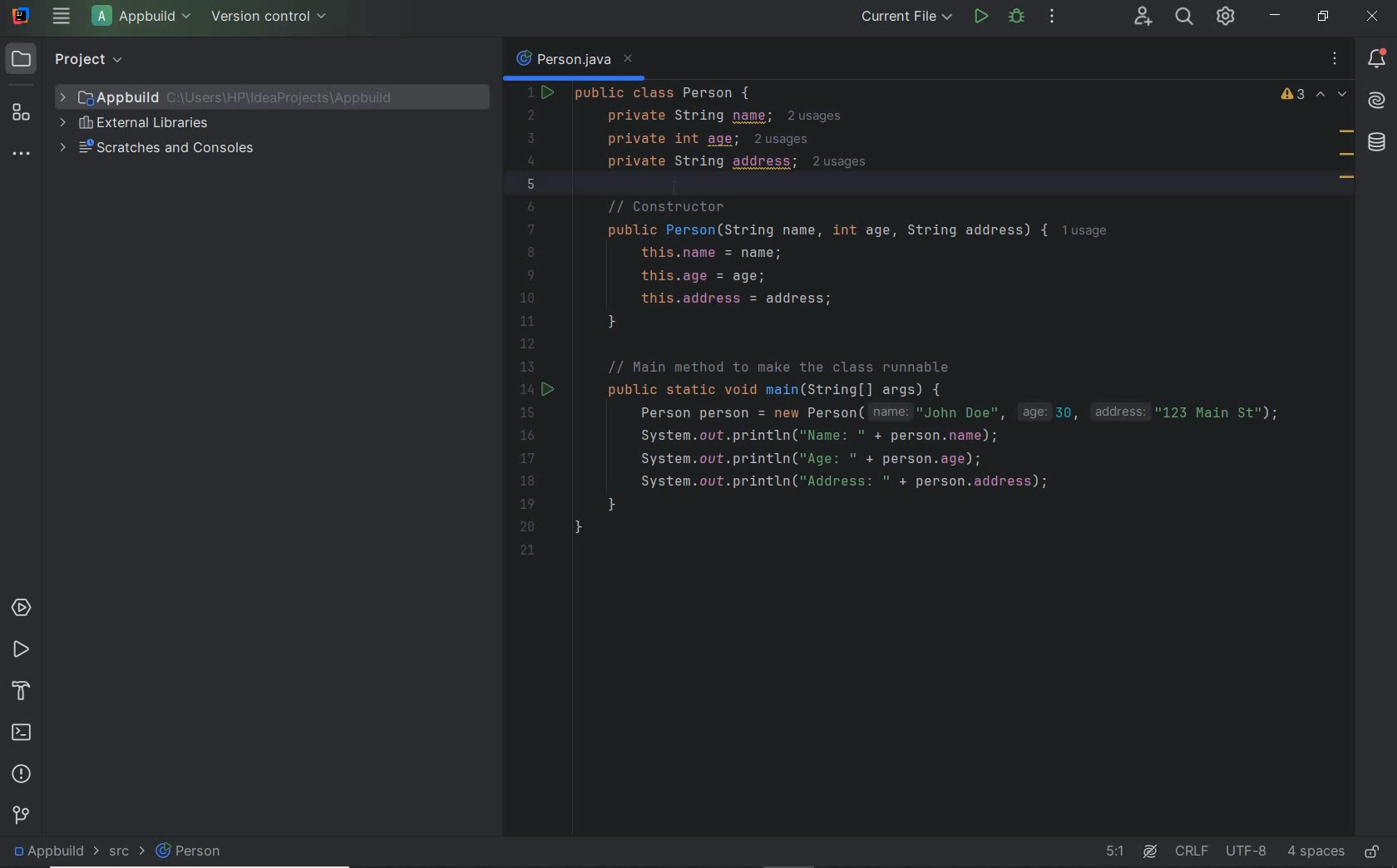  I want to click on main menu, so click(60, 17).